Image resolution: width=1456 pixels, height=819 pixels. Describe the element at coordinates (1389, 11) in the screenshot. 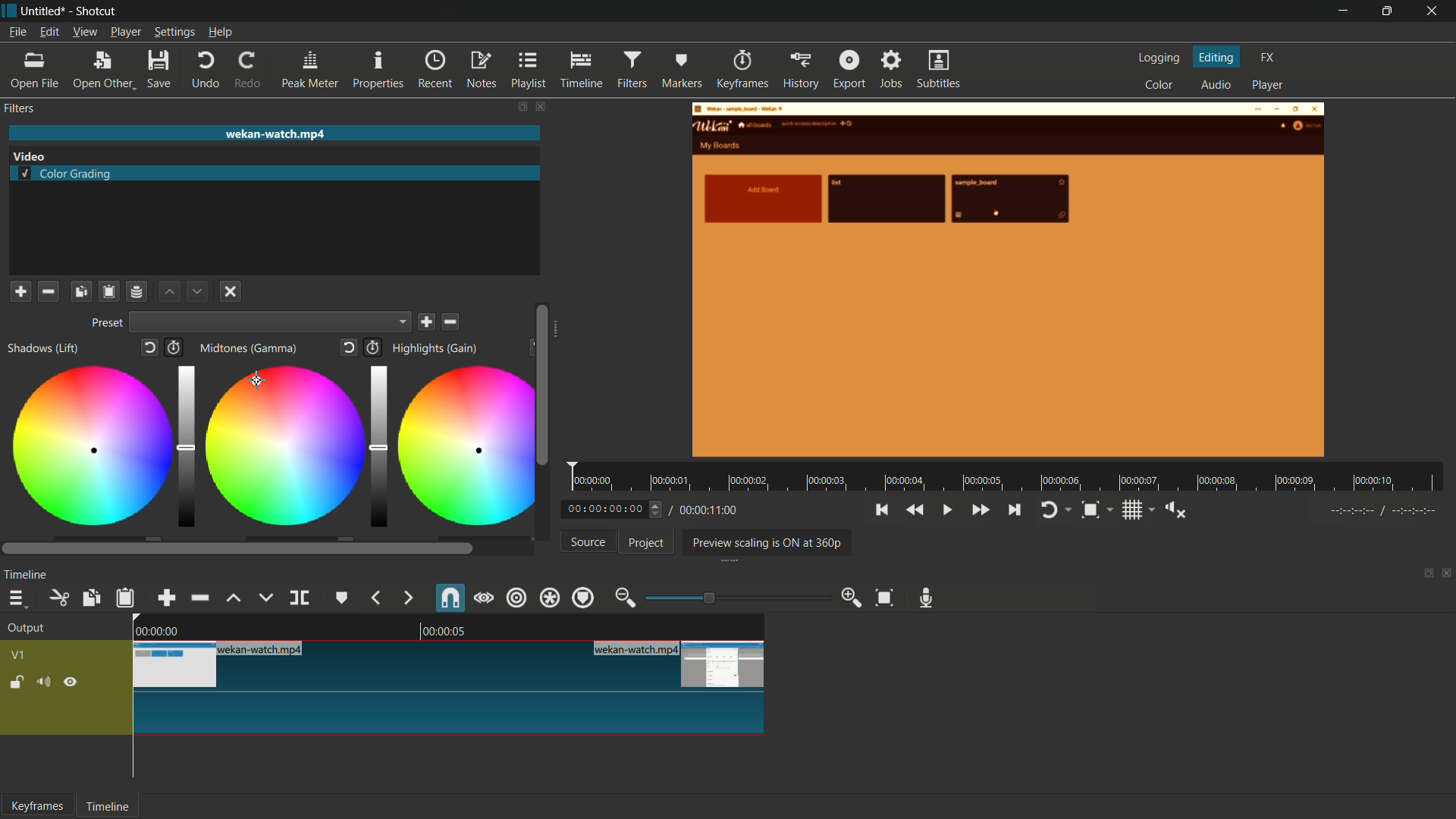

I see `maximize` at that location.